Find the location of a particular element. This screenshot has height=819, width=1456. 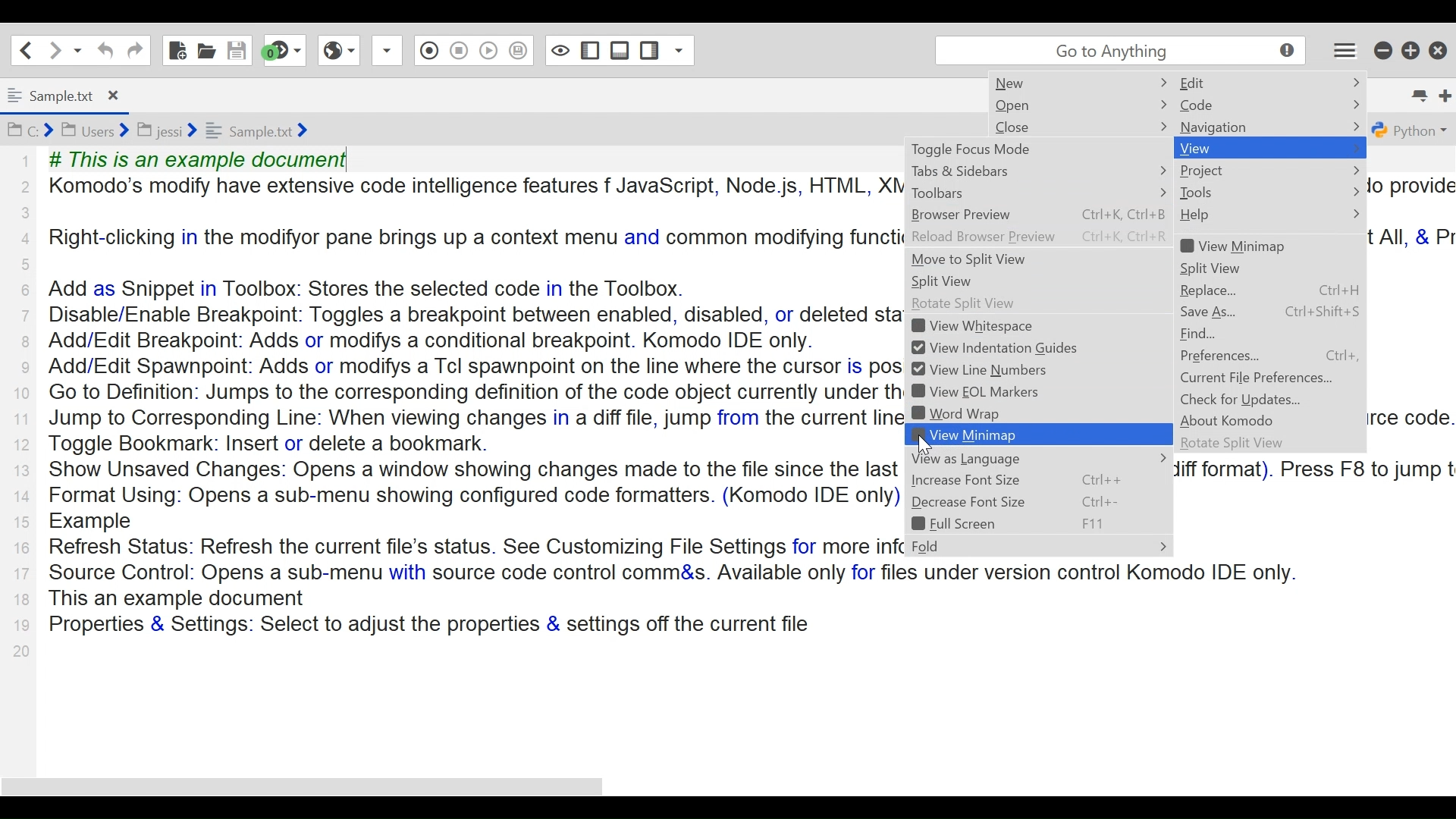

Redo is located at coordinates (134, 50).